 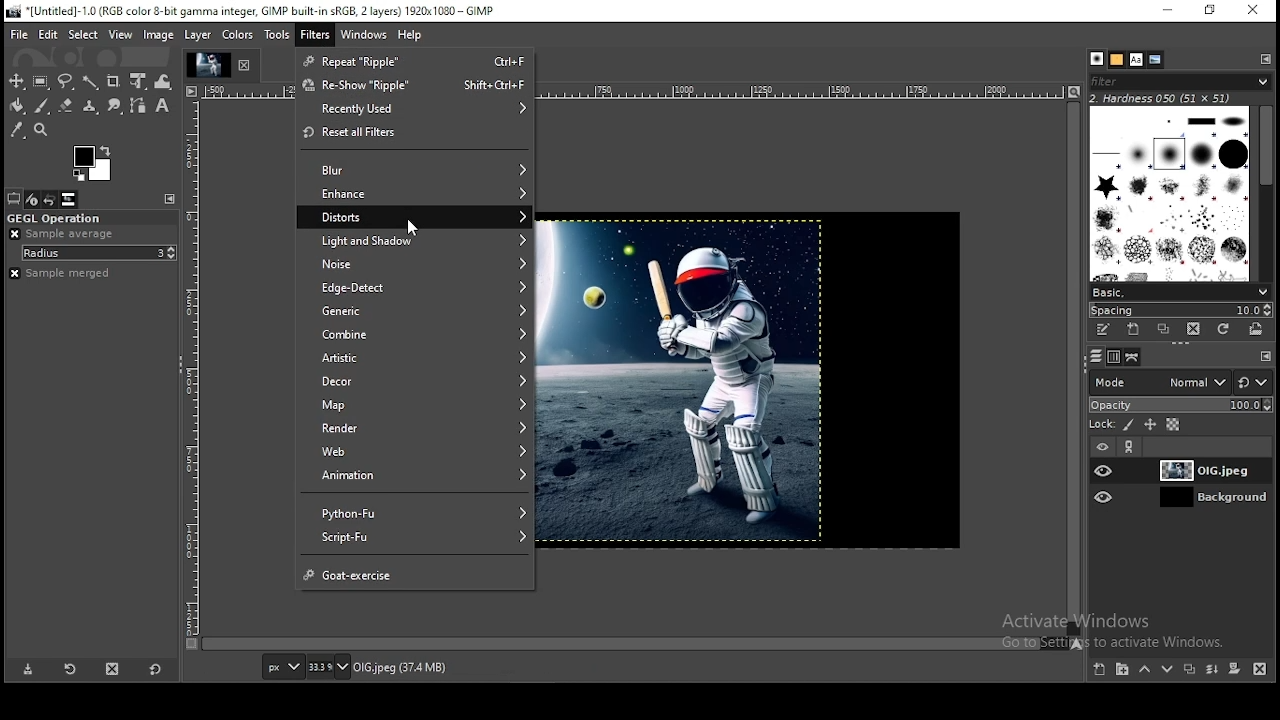 What do you see at coordinates (1150, 670) in the screenshot?
I see `move layer up` at bounding box center [1150, 670].